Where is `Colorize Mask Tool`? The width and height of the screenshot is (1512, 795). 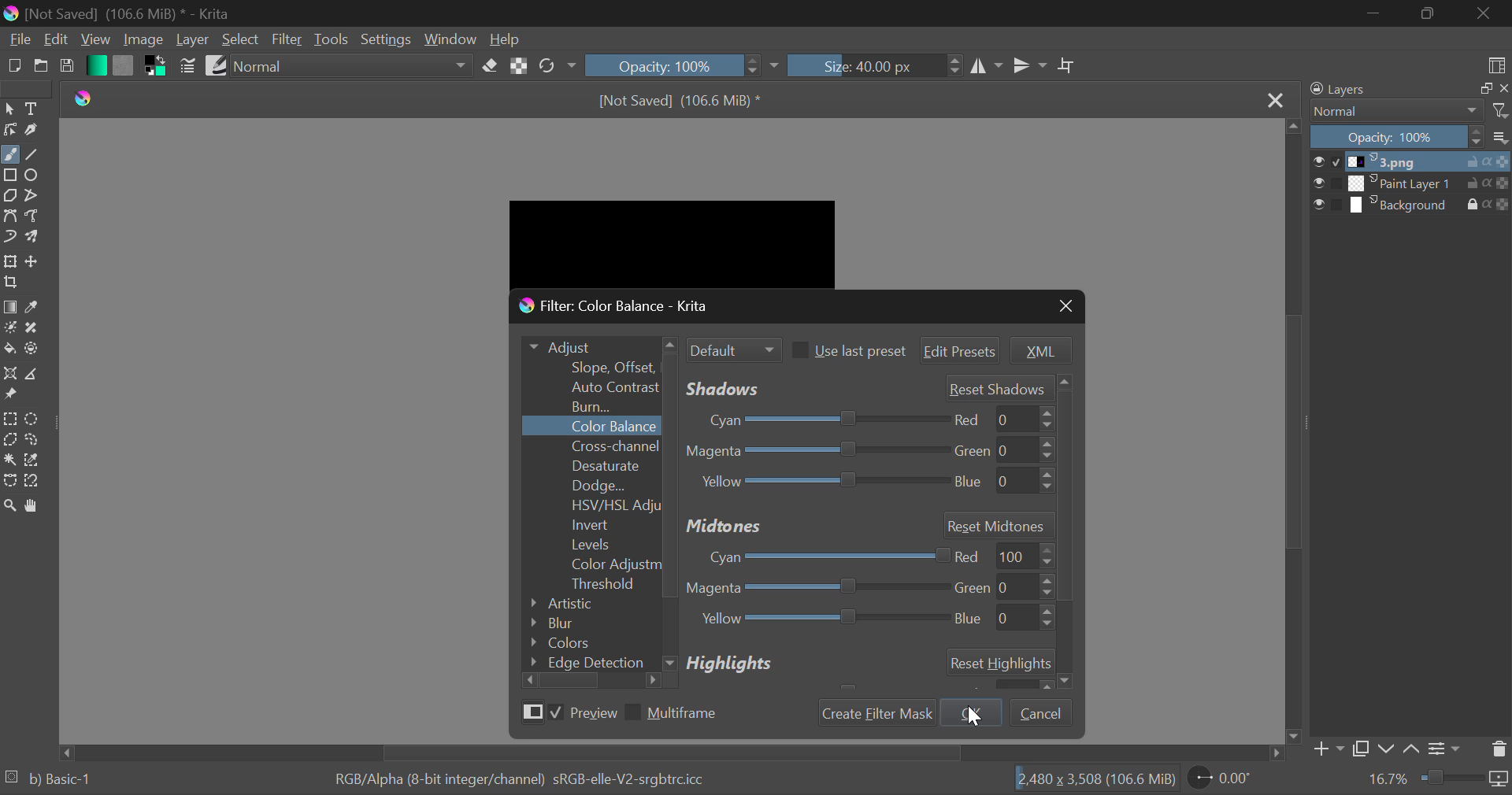 Colorize Mask Tool is located at coordinates (11, 329).